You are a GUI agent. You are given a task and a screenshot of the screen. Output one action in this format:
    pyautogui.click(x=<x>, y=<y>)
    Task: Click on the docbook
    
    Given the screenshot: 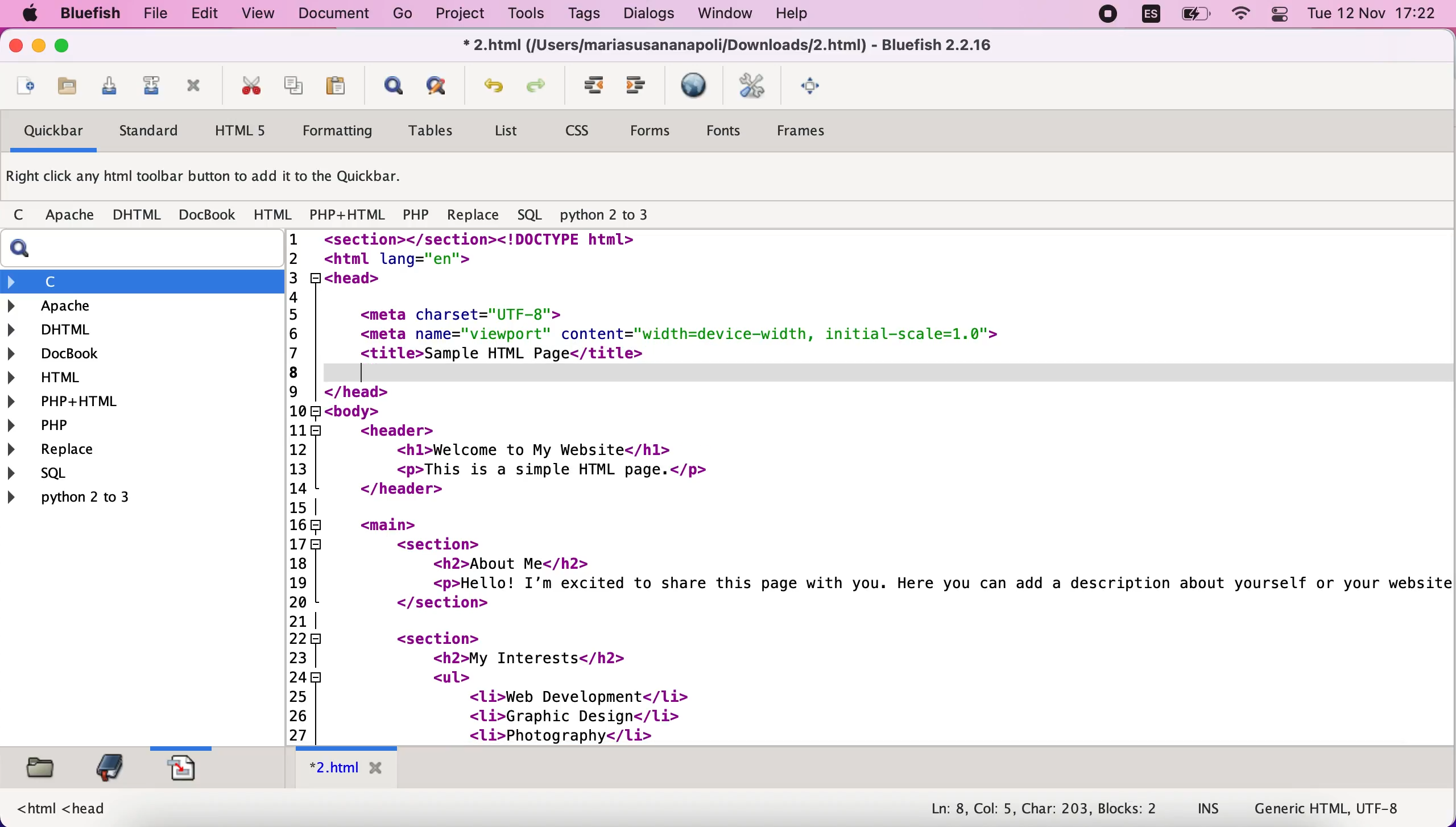 What is the action you would take?
    pyautogui.click(x=209, y=214)
    